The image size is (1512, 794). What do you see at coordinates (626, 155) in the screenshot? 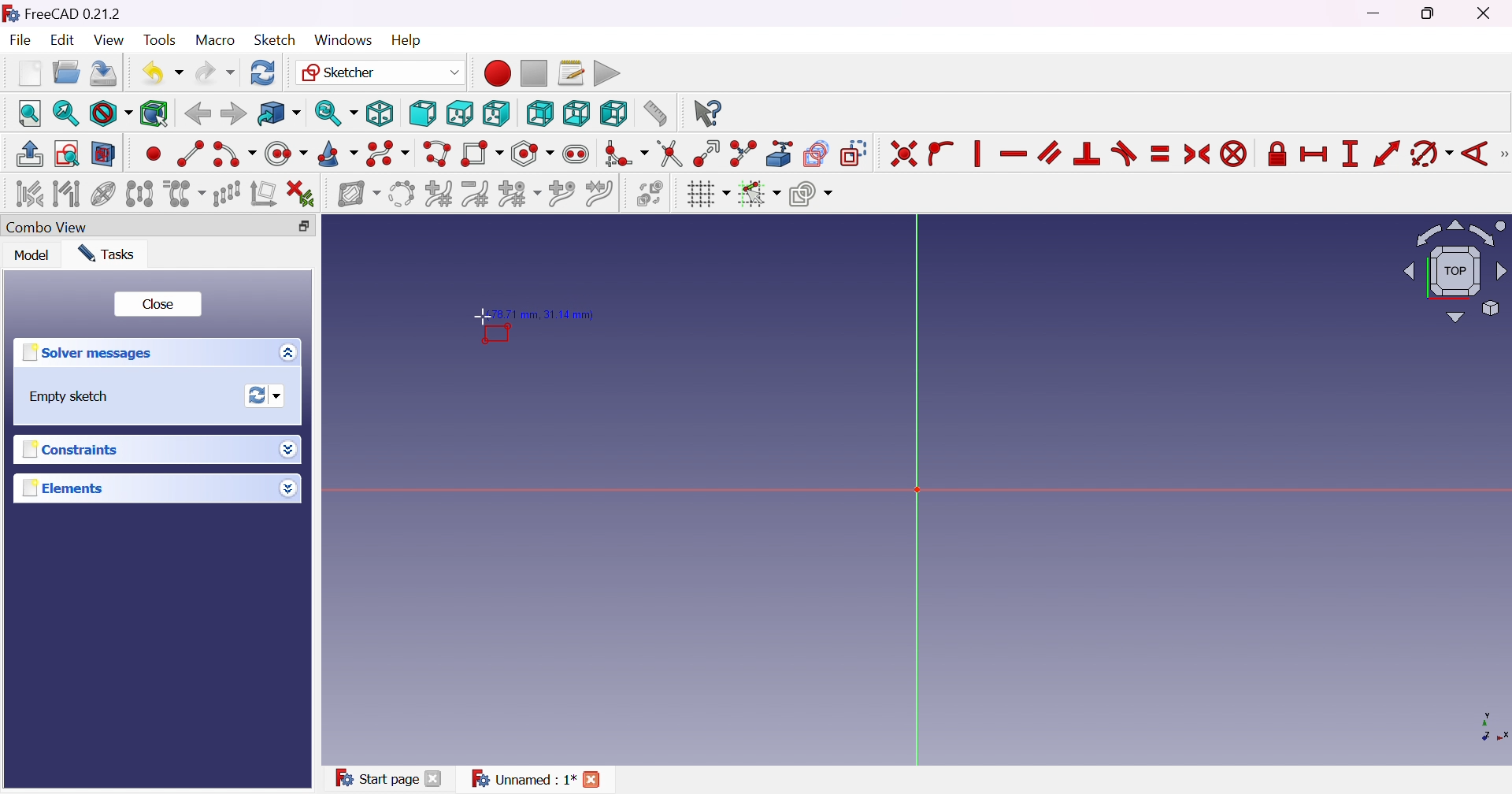
I see `Create fillet` at bounding box center [626, 155].